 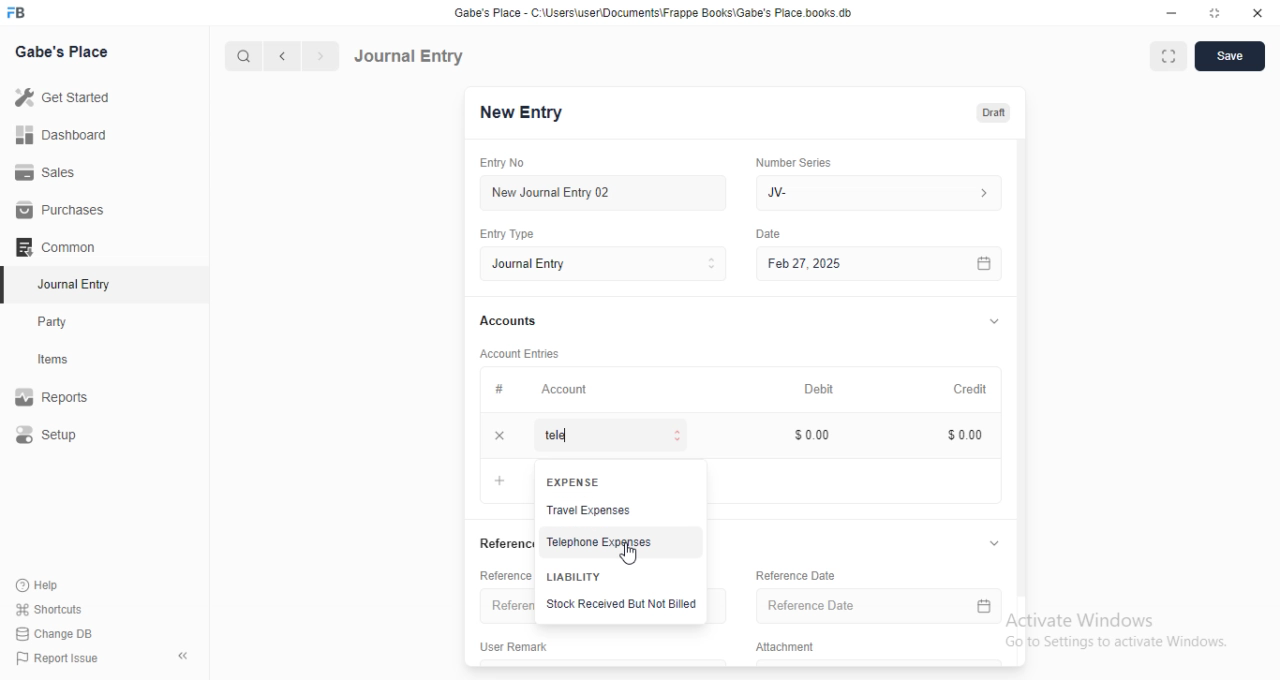 I want to click on Draft, so click(x=989, y=112).